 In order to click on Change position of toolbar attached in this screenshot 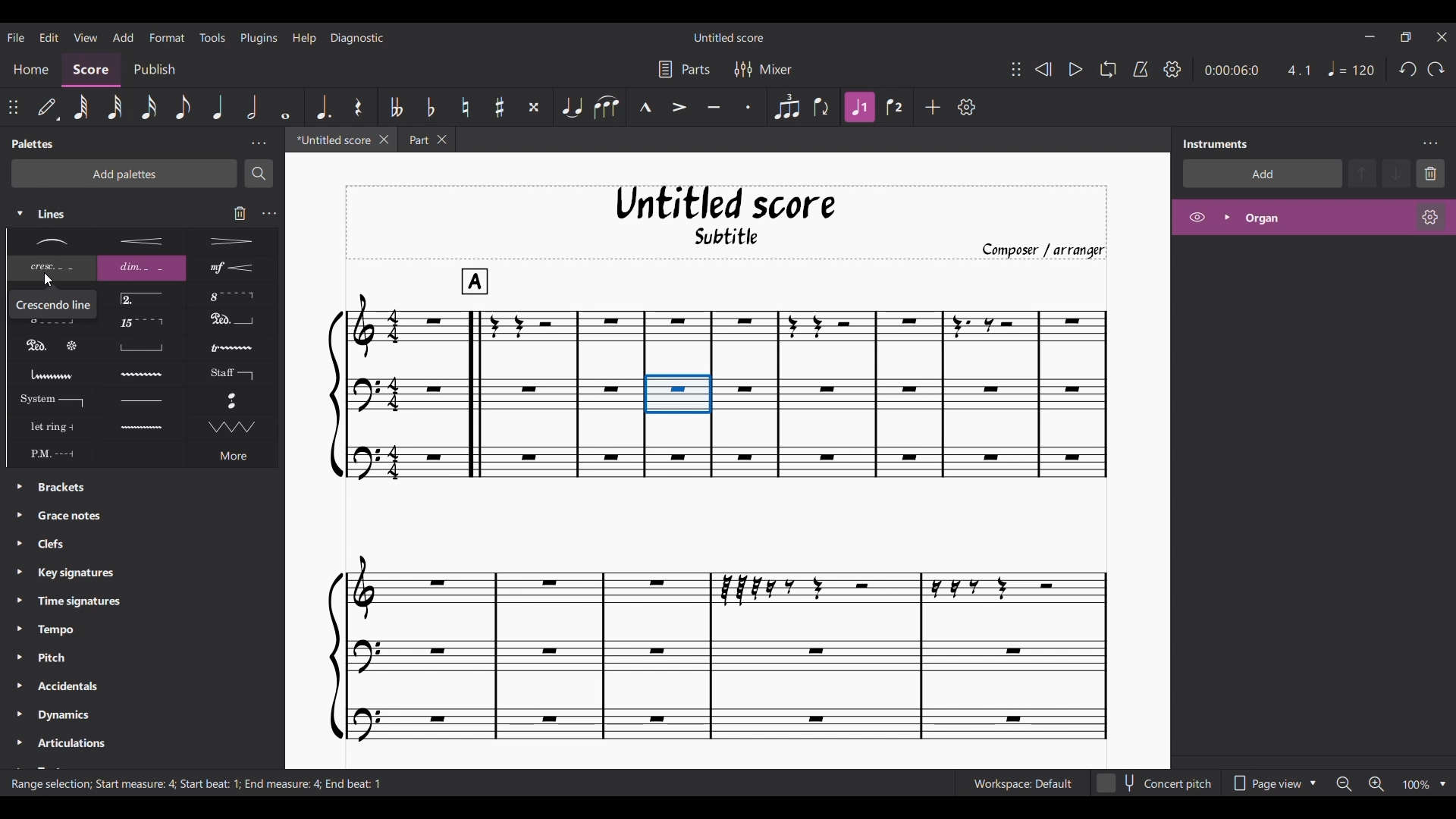, I will do `click(13, 107)`.